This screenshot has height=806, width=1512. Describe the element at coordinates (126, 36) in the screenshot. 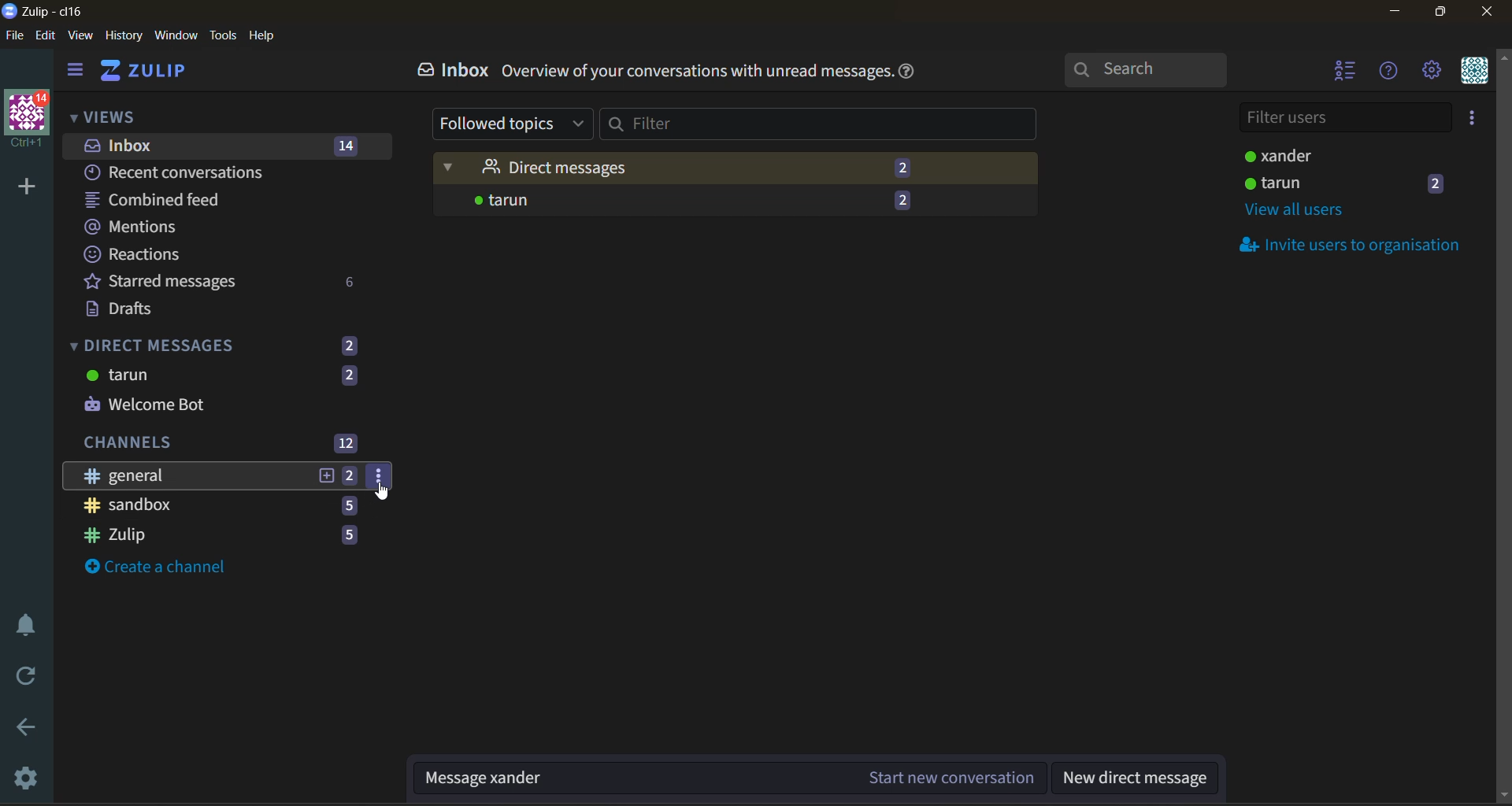

I see `history` at that location.